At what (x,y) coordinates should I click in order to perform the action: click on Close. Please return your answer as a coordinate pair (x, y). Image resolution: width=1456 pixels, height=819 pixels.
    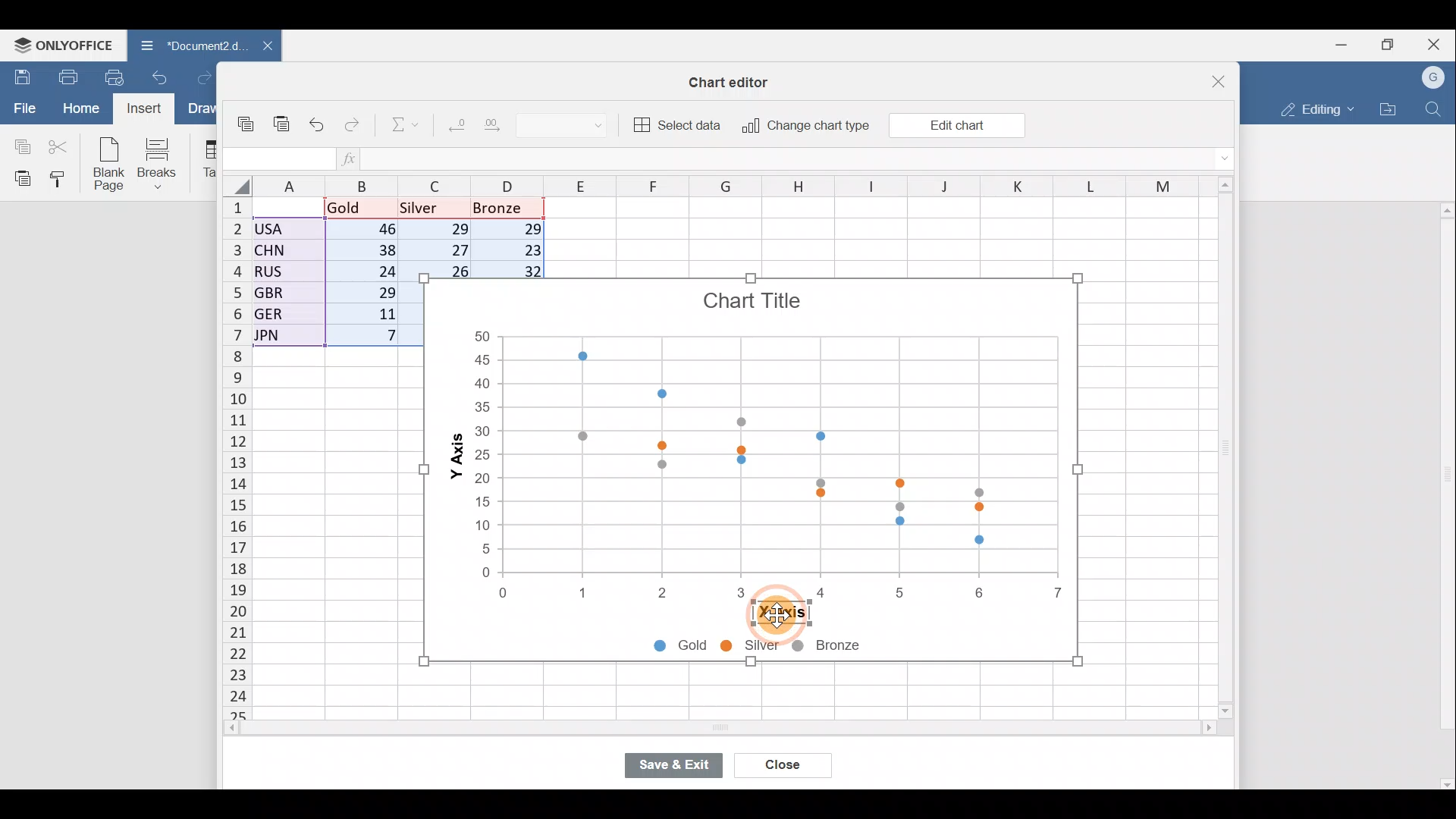
    Looking at the image, I should click on (784, 764).